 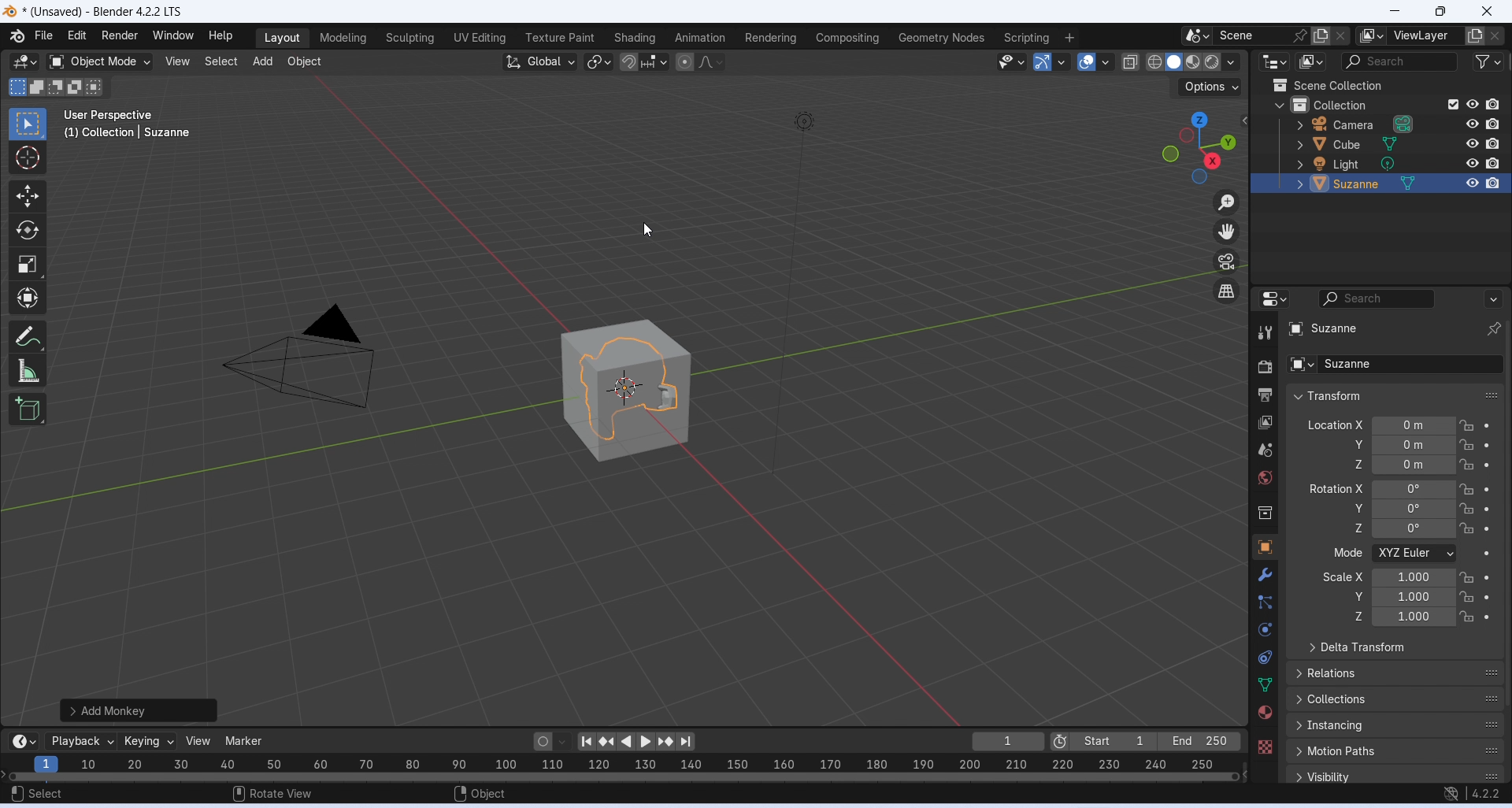 What do you see at coordinates (1265, 746) in the screenshot?
I see `texture` at bounding box center [1265, 746].